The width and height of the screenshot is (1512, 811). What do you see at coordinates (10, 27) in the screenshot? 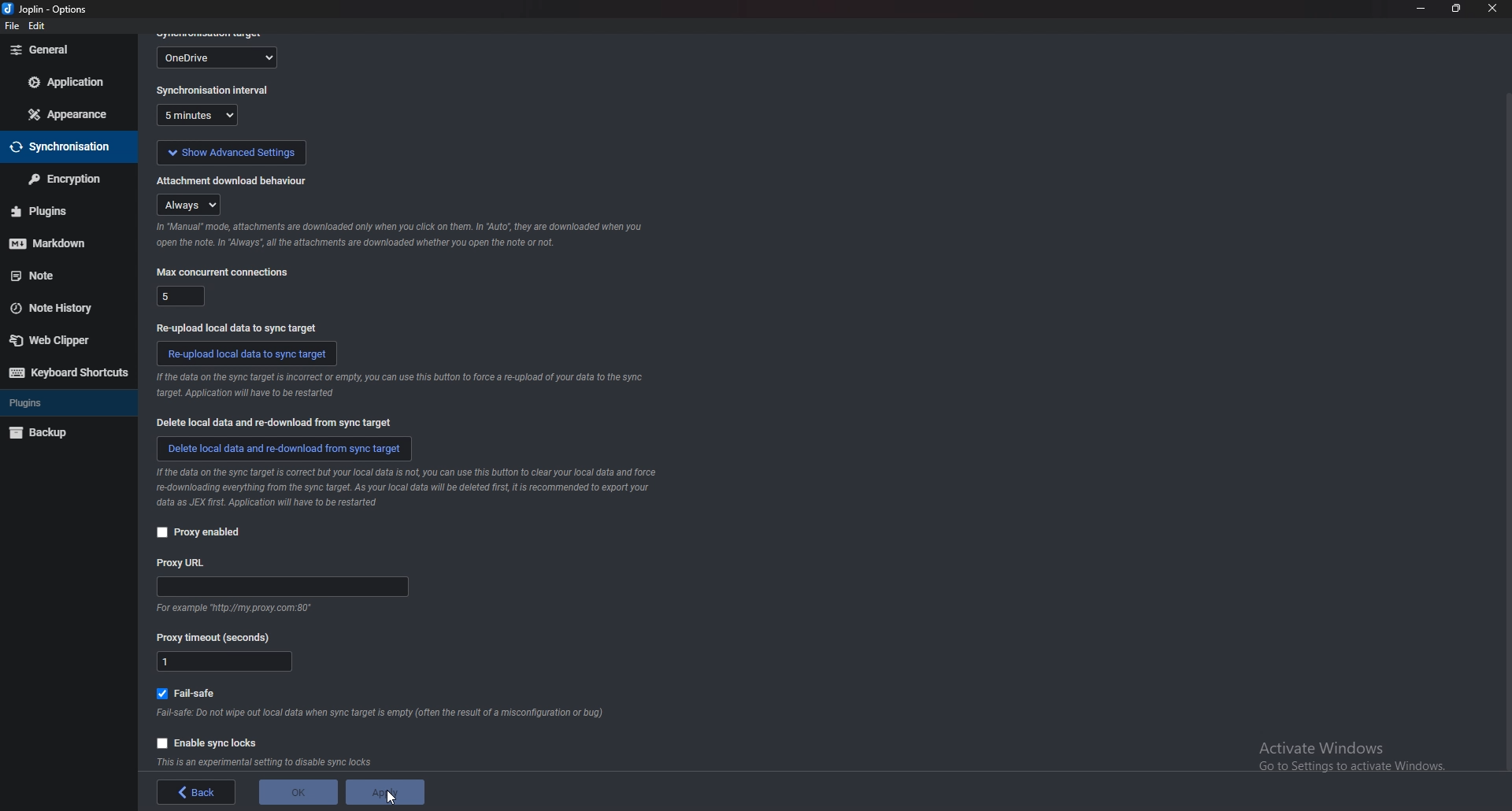
I see `file` at bounding box center [10, 27].